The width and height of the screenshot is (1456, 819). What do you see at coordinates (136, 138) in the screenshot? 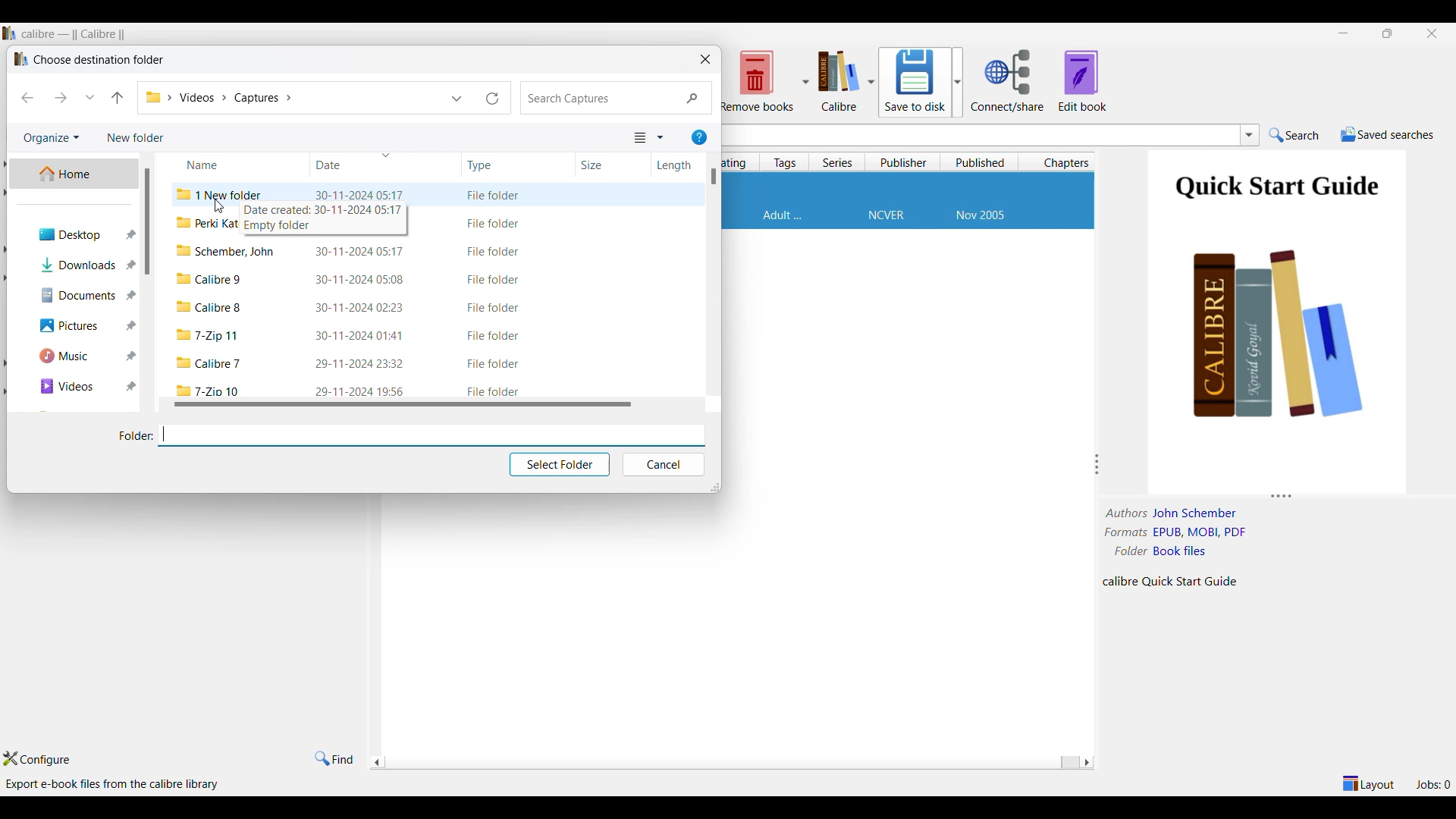
I see `Add new folder` at bounding box center [136, 138].